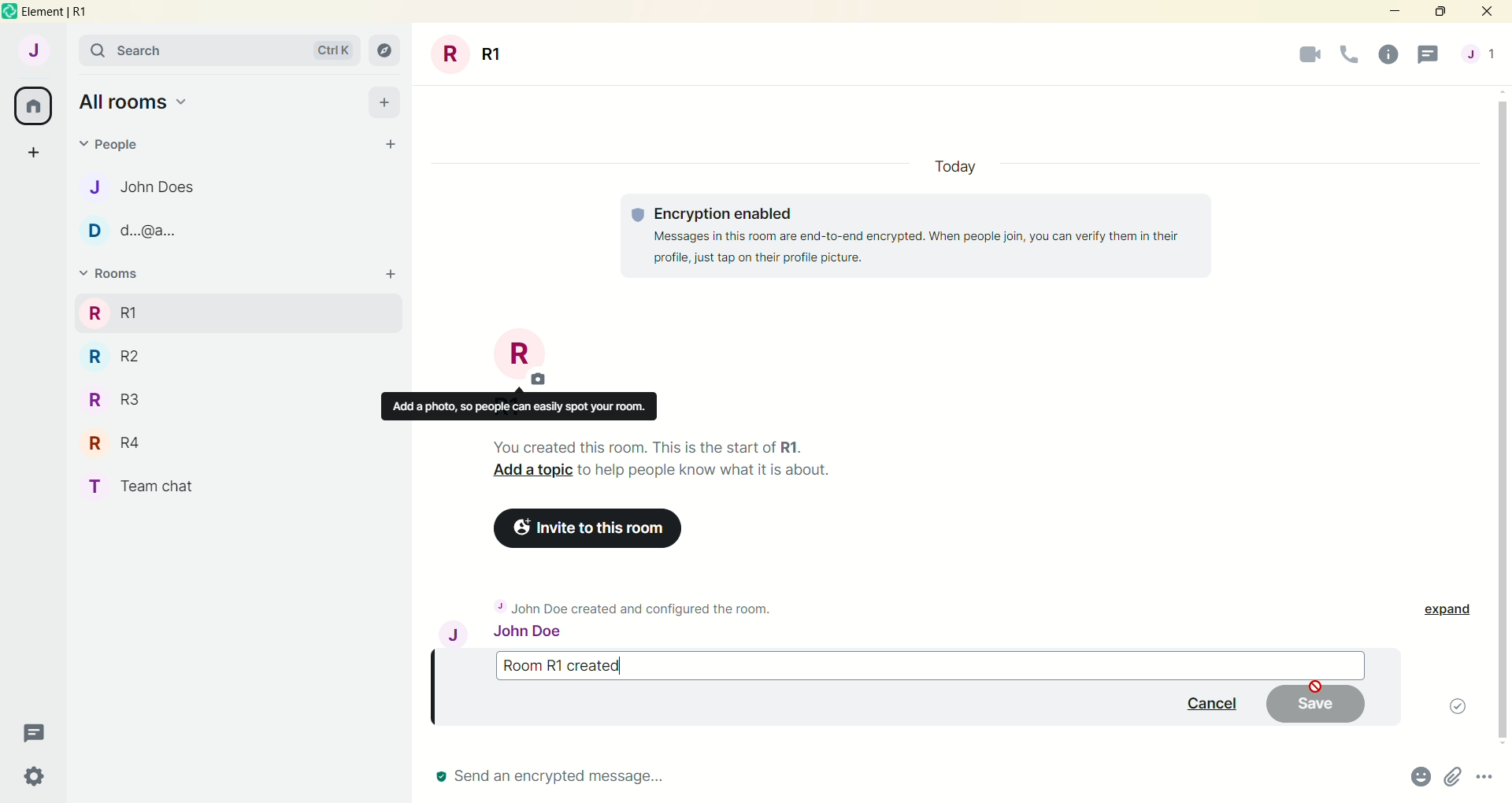  I want to click on Add a topic, so click(528, 472).